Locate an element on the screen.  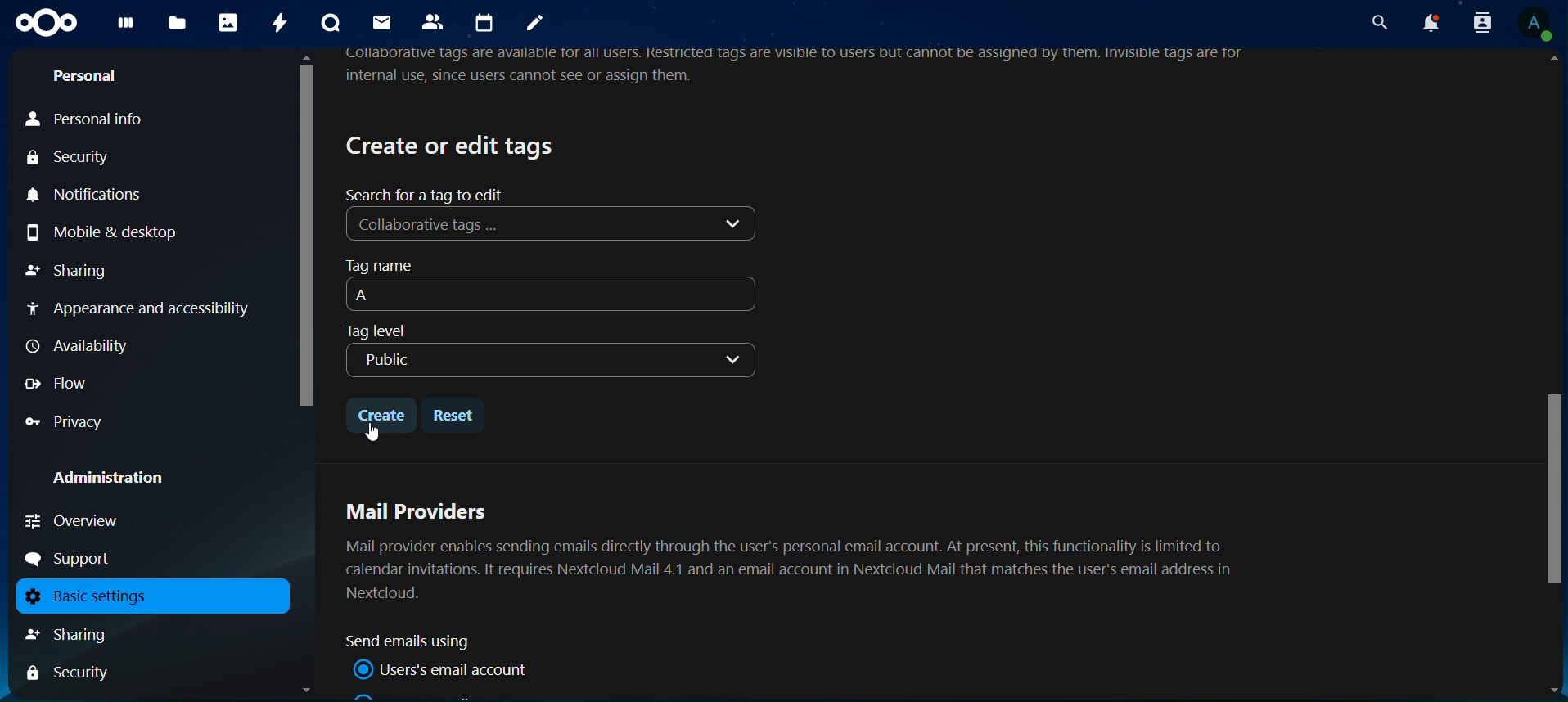
sand email using is located at coordinates (415, 641).